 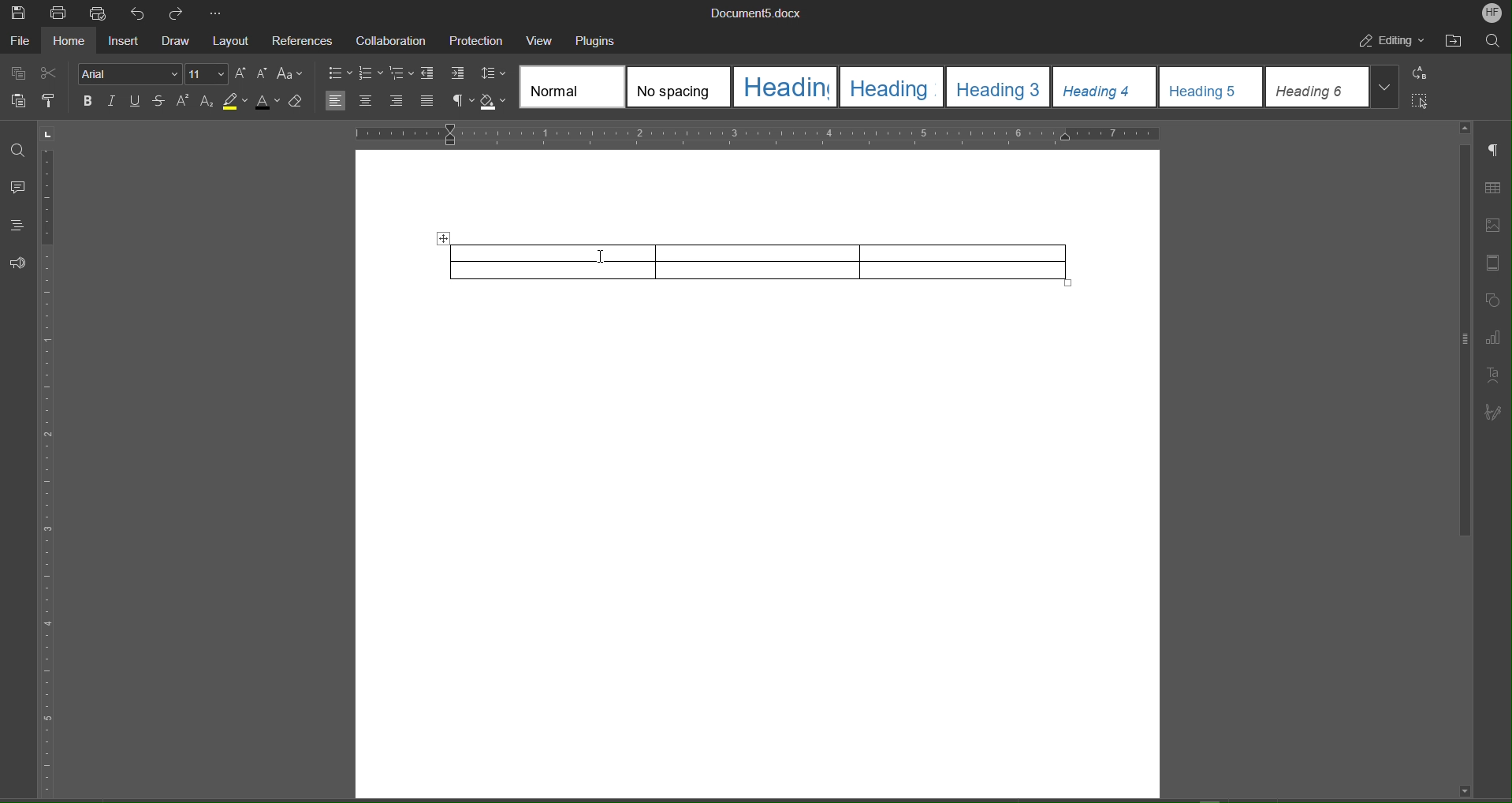 What do you see at coordinates (236, 101) in the screenshot?
I see `Highlight` at bounding box center [236, 101].